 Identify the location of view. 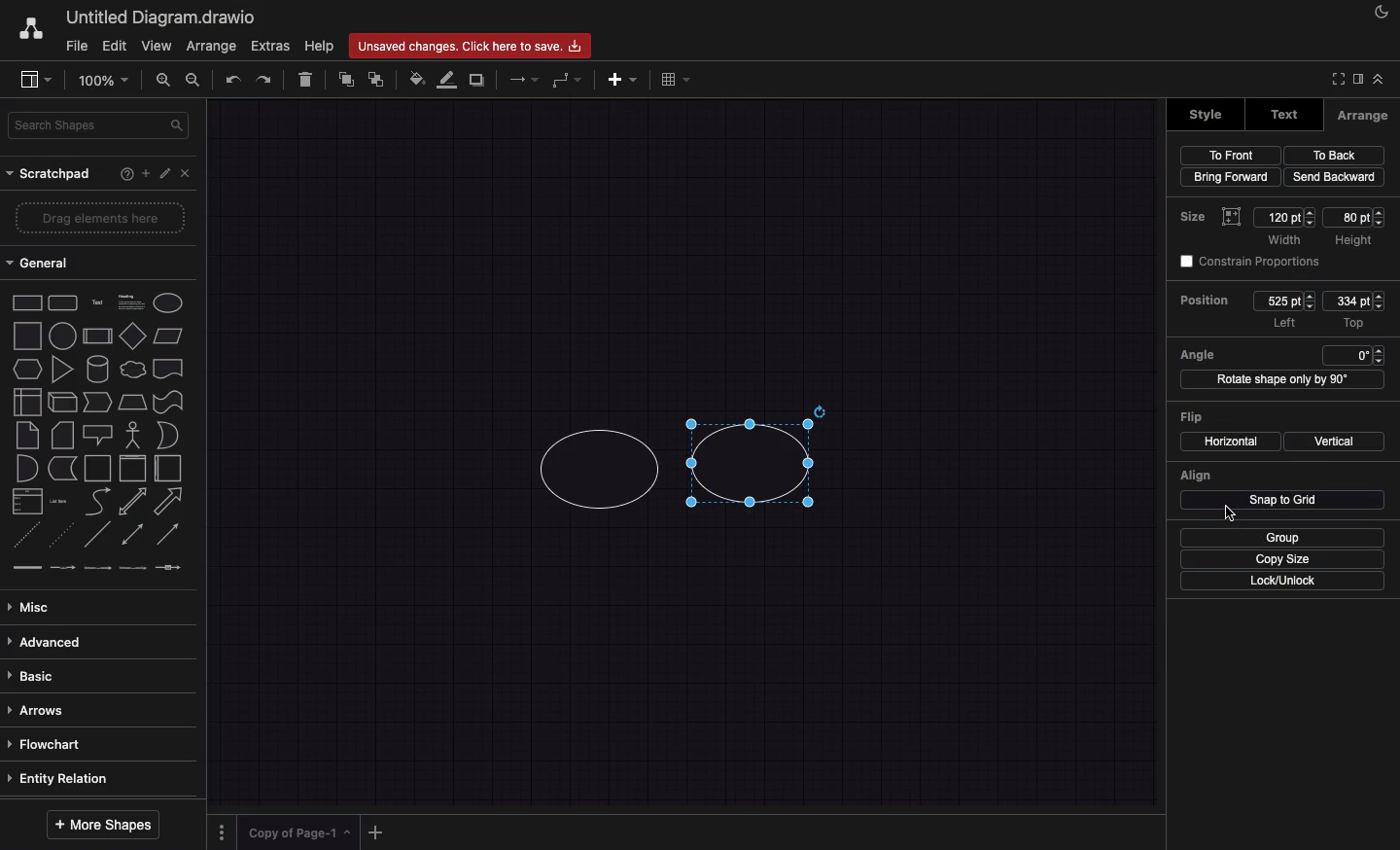
(159, 46).